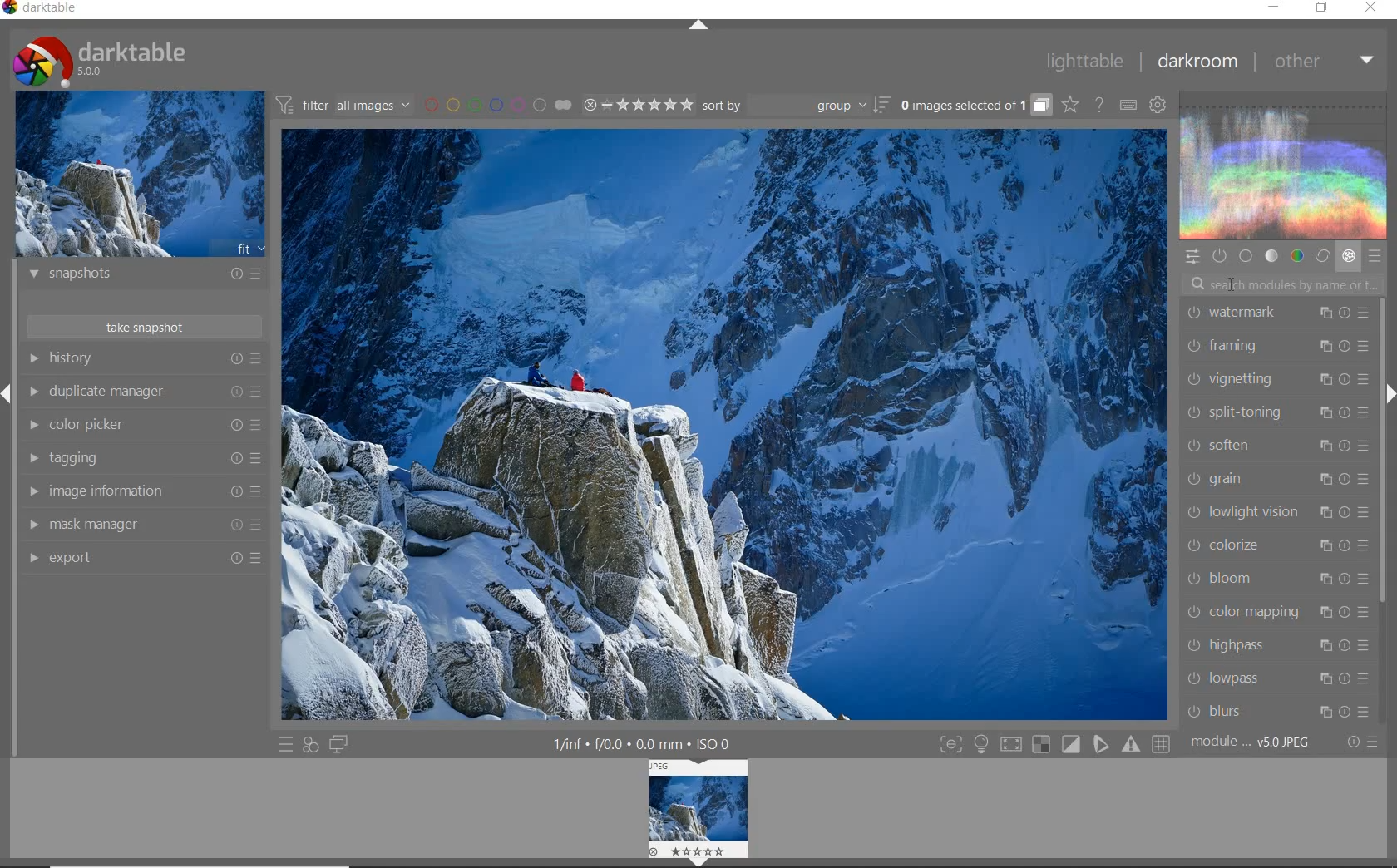 Image resolution: width=1397 pixels, height=868 pixels. Describe the element at coordinates (1276, 315) in the screenshot. I see `watermark` at that location.